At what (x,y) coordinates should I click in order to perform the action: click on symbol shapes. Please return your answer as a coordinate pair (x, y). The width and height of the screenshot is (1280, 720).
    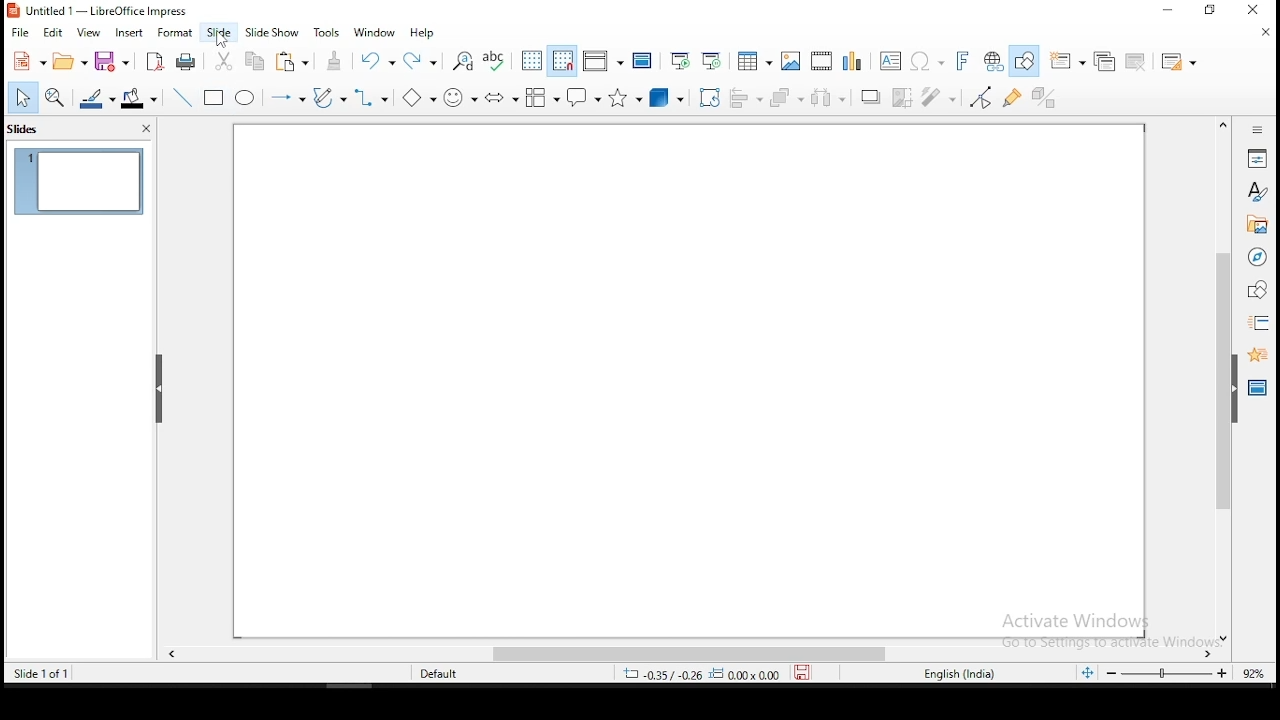
    Looking at the image, I should click on (460, 95).